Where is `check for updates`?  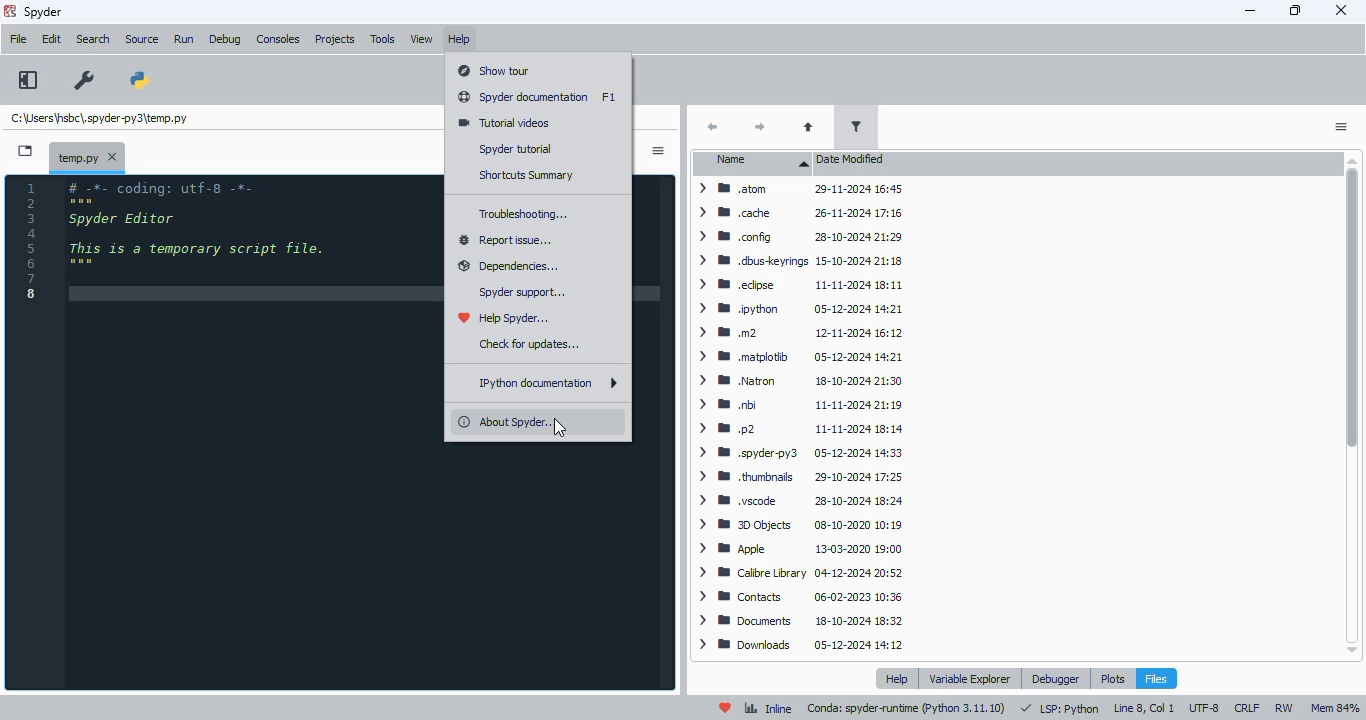
check for updates is located at coordinates (530, 344).